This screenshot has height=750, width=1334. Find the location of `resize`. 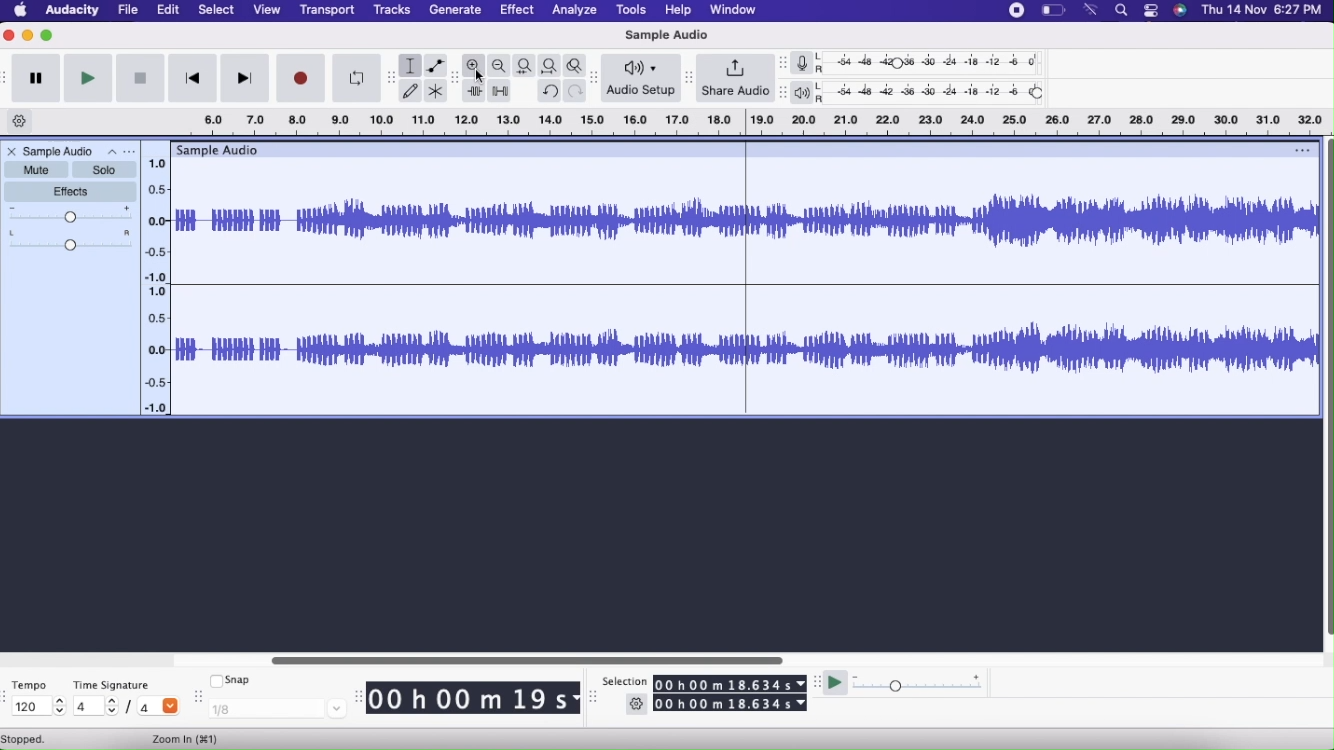

resize is located at coordinates (596, 78).